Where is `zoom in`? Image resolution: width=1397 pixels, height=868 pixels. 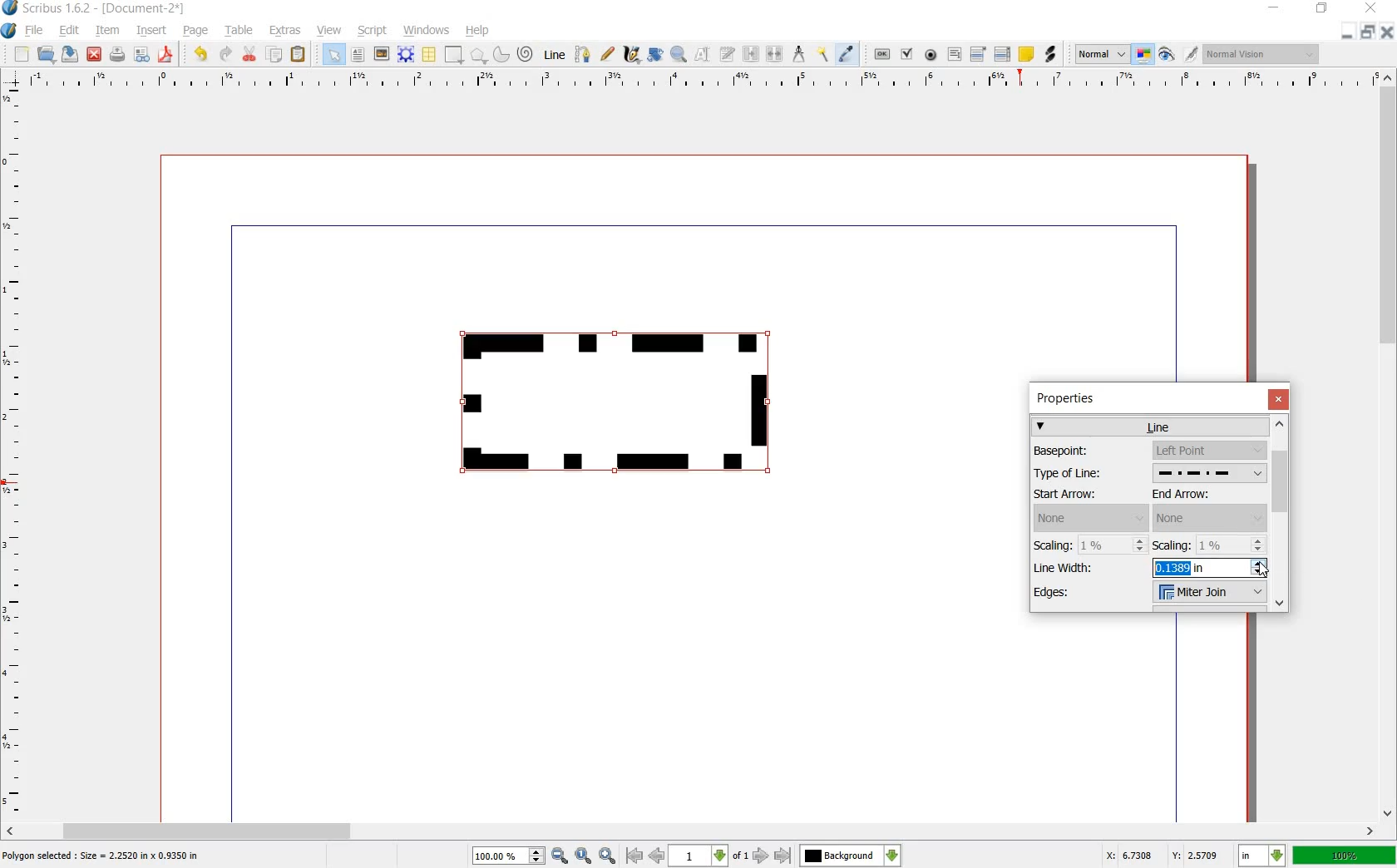 zoom in is located at coordinates (608, 856).